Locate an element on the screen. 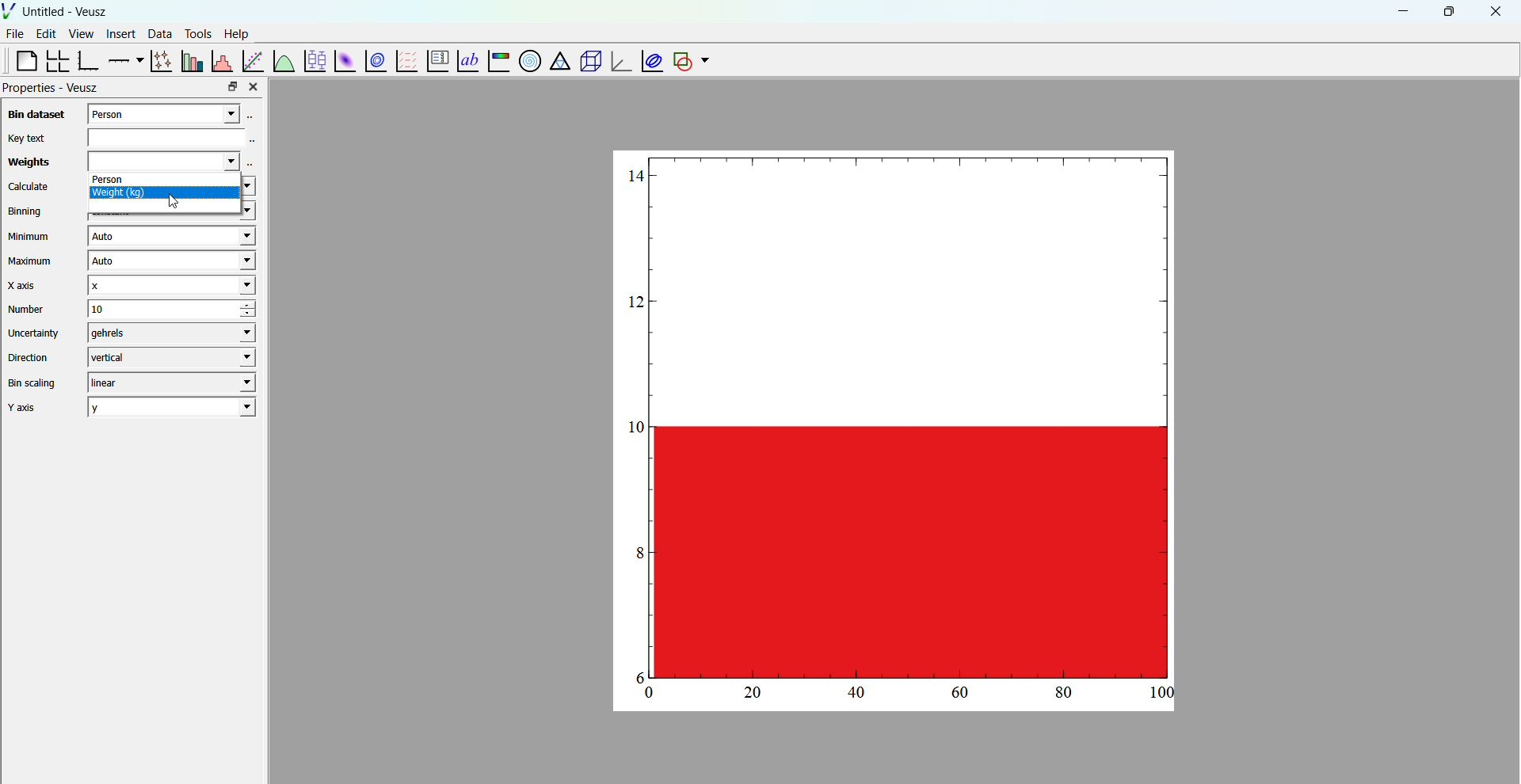 The height and width of the screenshot is (784, 1521). Direction is located at coordinates (31, 356).